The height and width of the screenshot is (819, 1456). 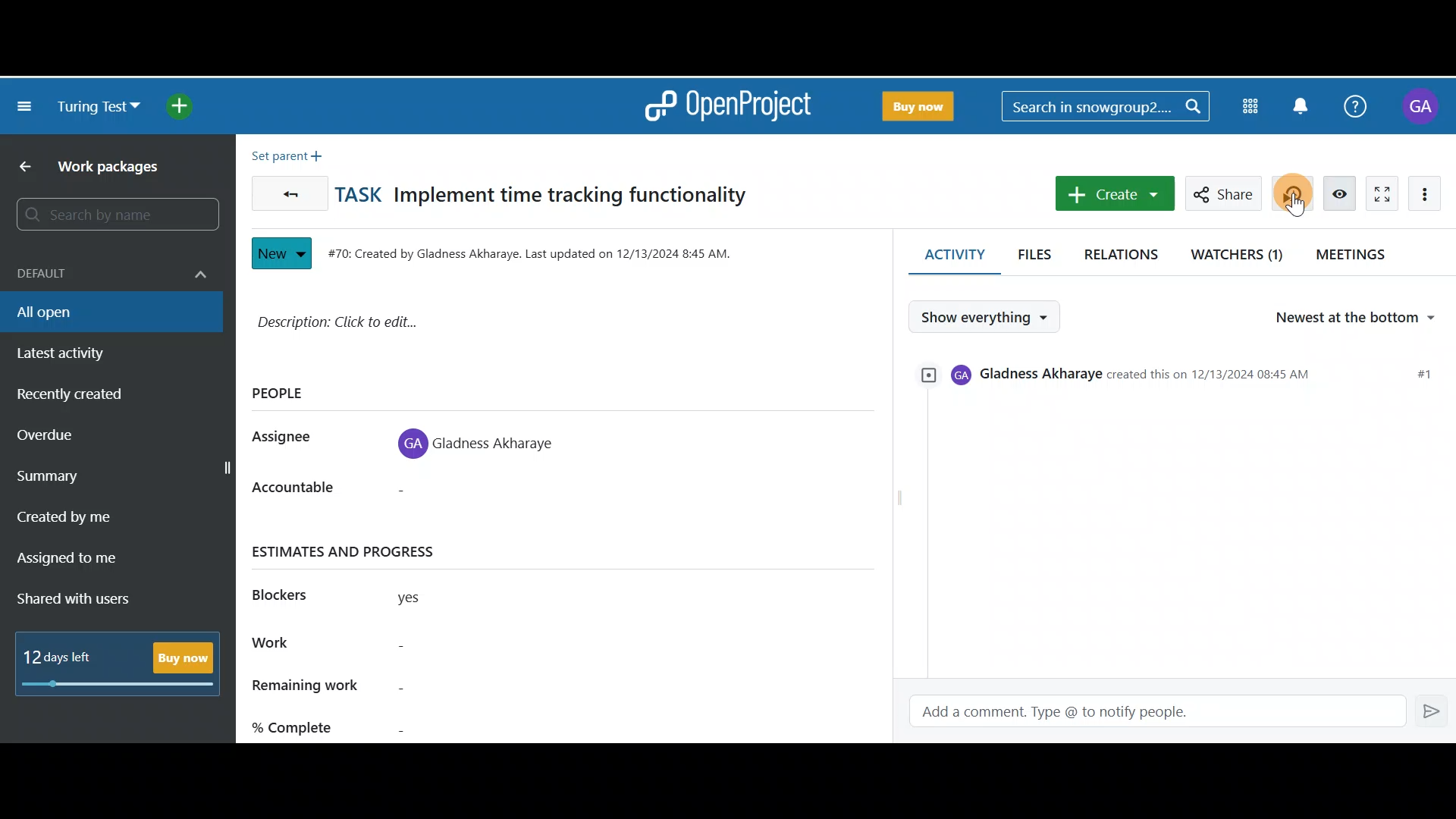 I want to click on Remaining work, so click(x=403, y=687).